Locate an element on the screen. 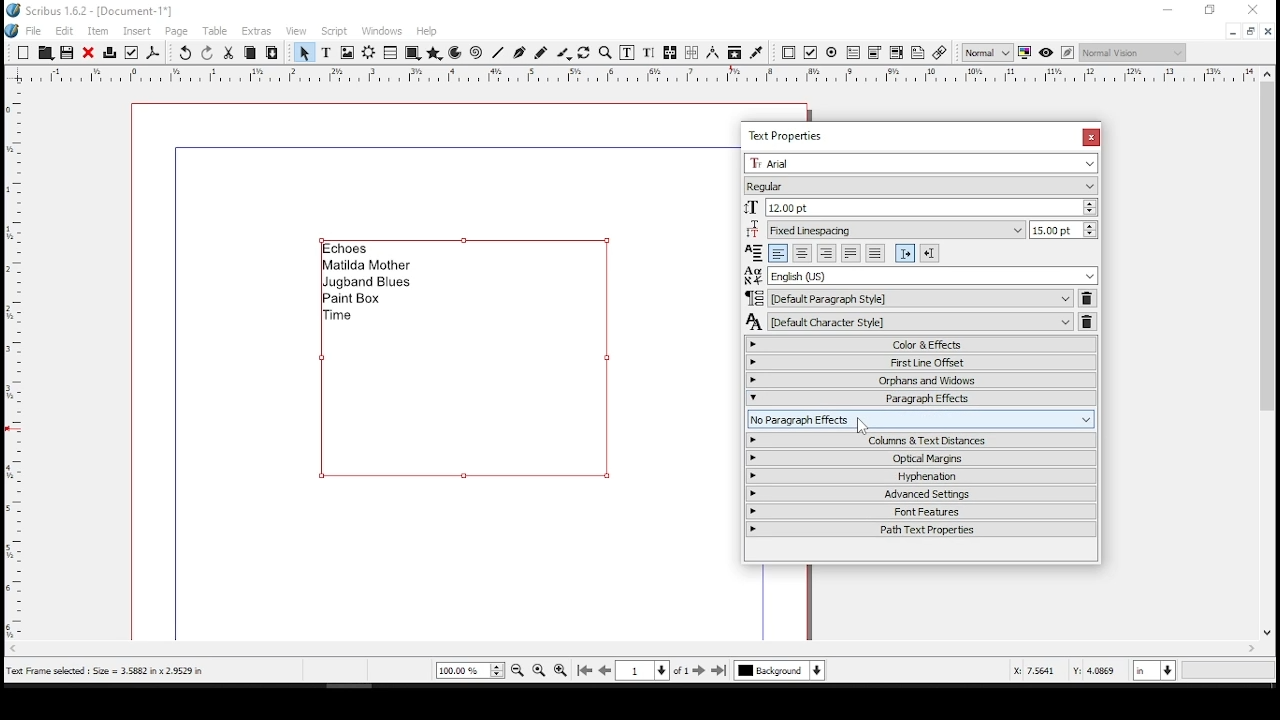 The width and height of the screenshot is (1280, 720). paragraph style is located at coordinates (910, 298).